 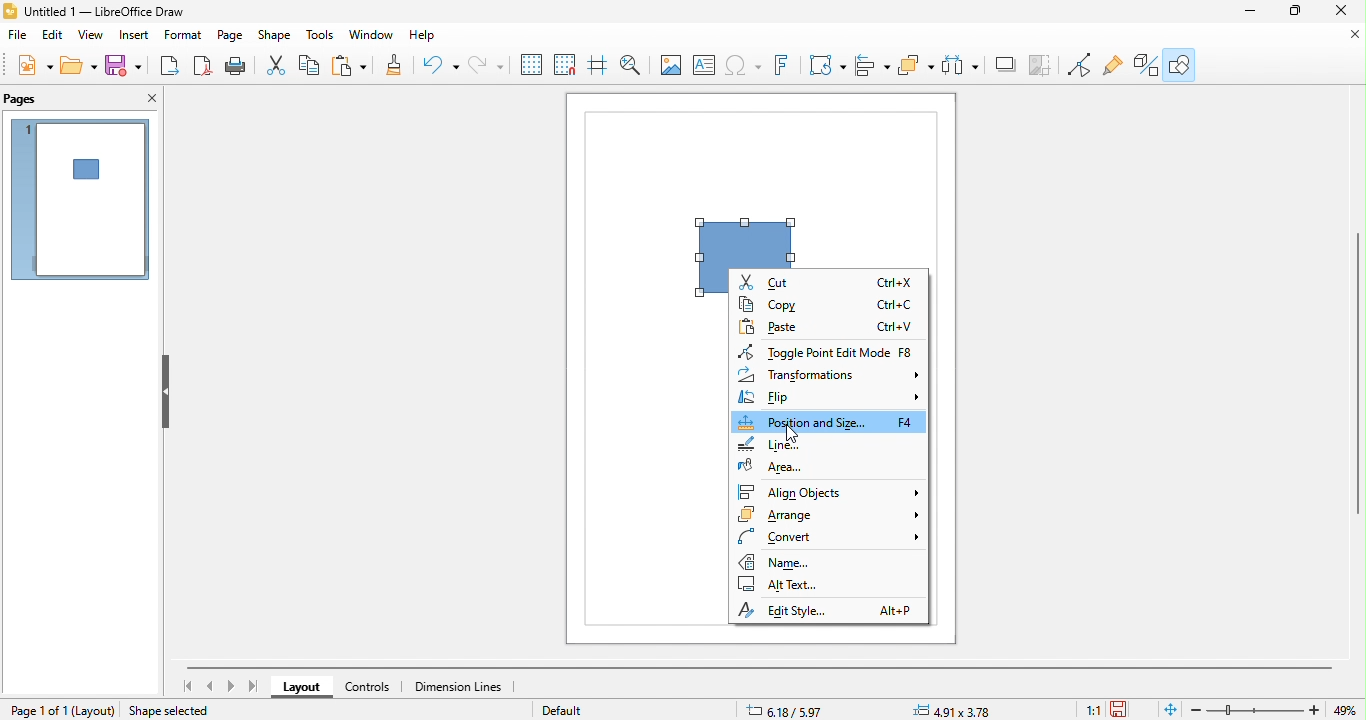 What do you see at coordinates (790, 444) in the screenshot?
I see `line` at bounding box center [790, 444].